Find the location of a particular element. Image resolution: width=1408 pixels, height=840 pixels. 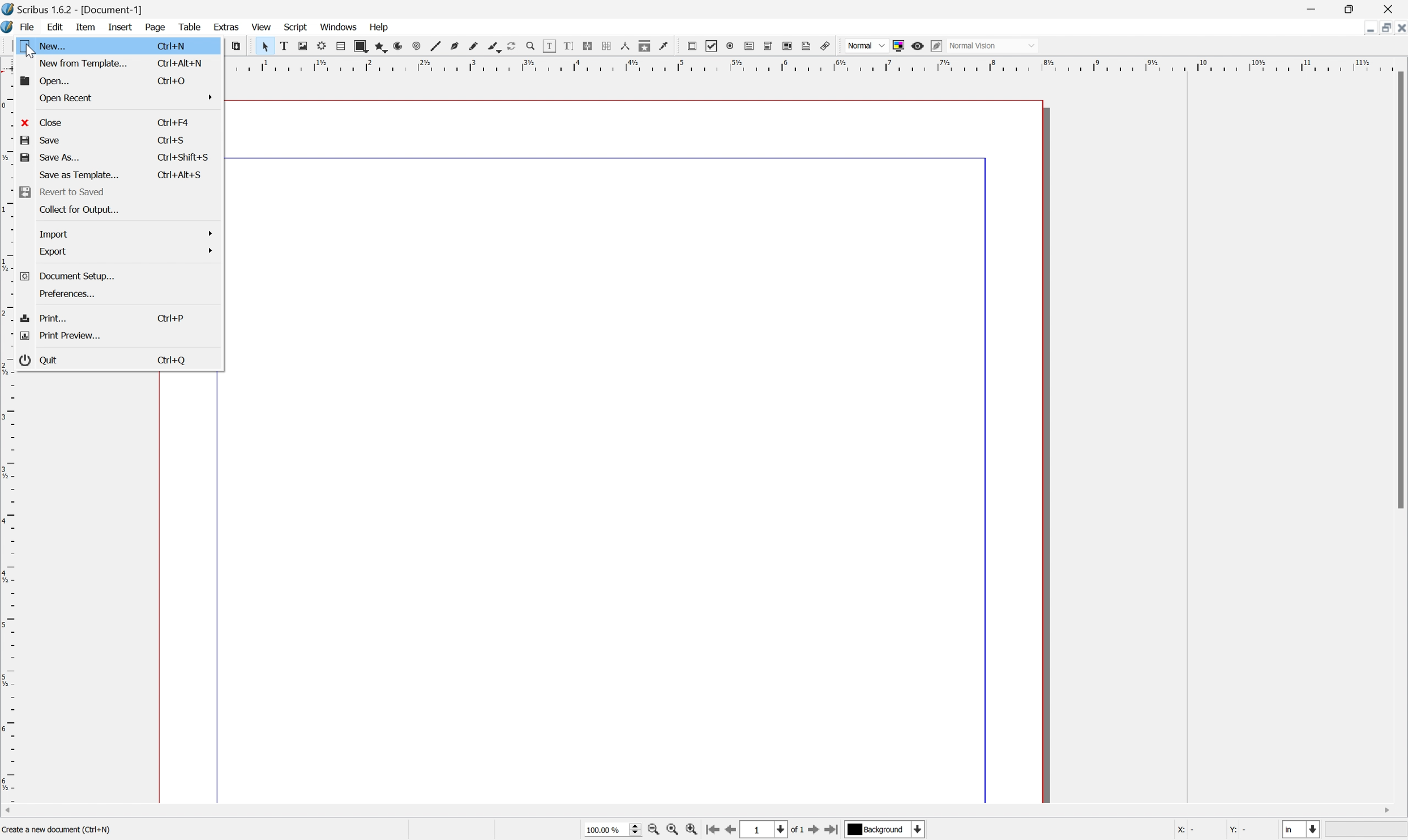

Ruler is located at coordinates (9, 593).